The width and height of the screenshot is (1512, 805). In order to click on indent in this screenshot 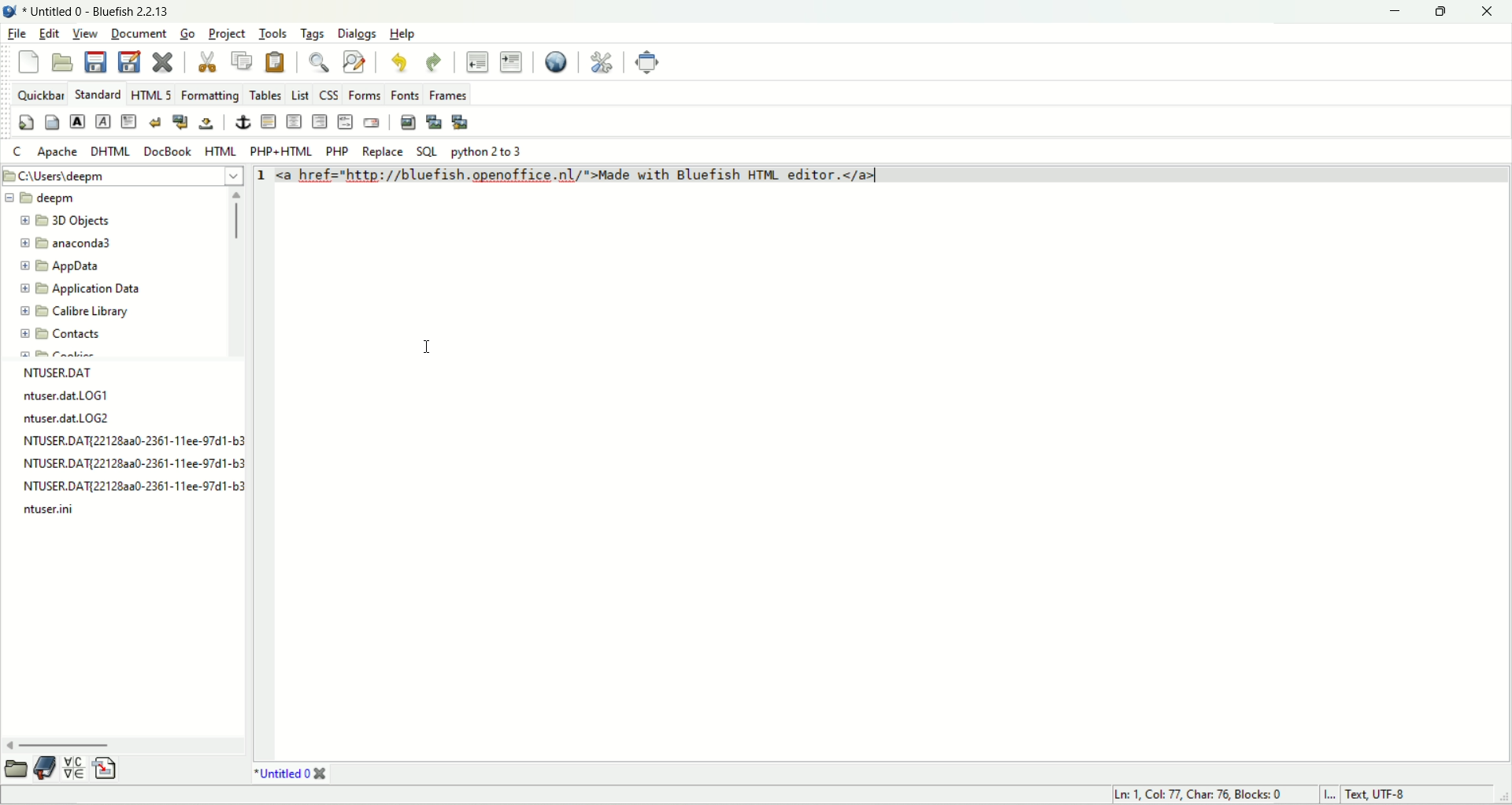, I will do `click(512, 61)`.